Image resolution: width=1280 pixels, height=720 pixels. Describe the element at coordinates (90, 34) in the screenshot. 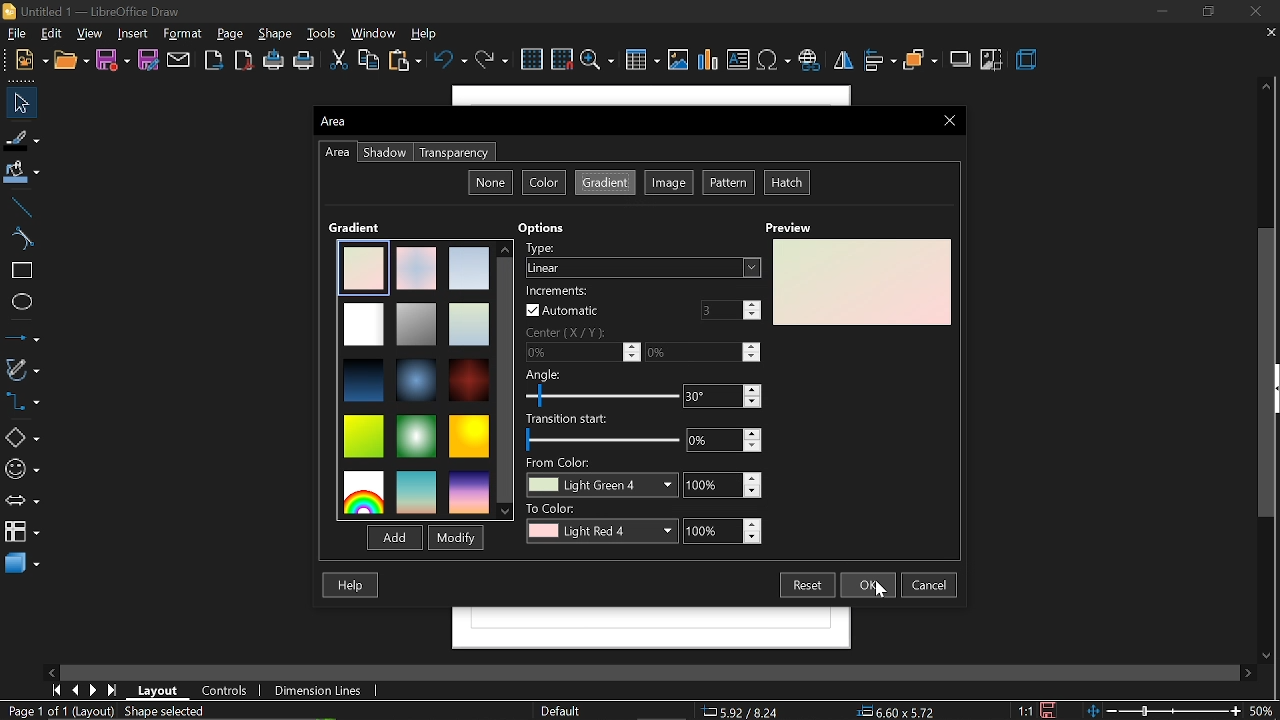

I see `view` at that location.